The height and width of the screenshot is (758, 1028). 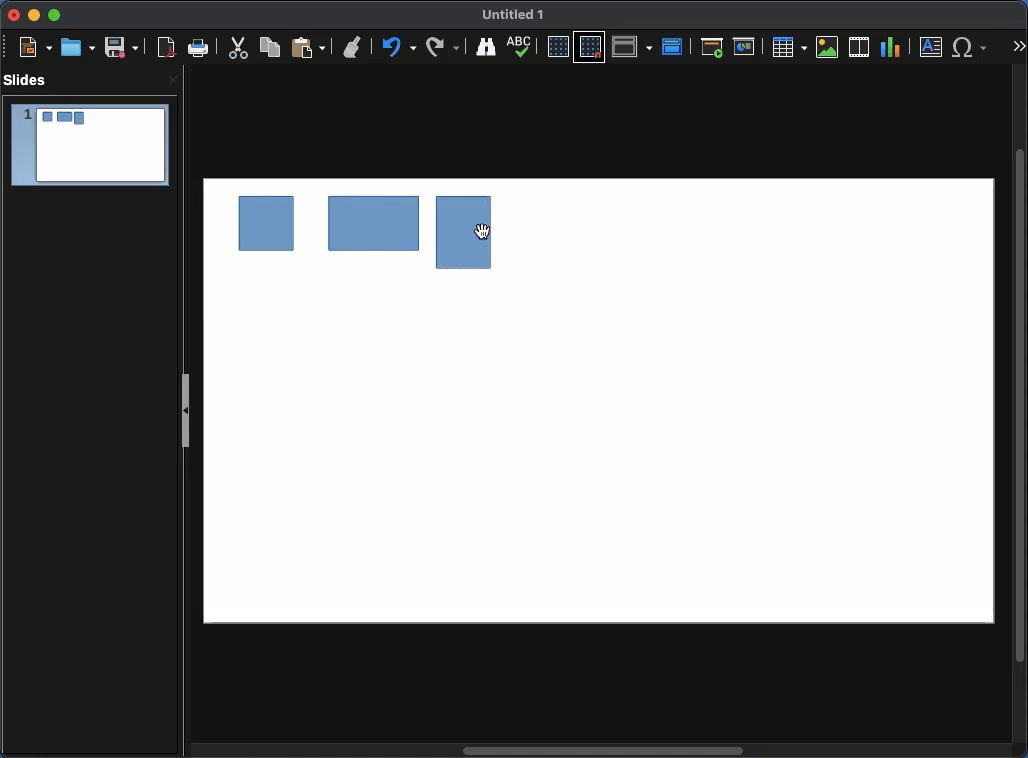 What do you see at coordinates (892, 48) in the screenshot?
I see `Chart` at bounding box center [892, 48].